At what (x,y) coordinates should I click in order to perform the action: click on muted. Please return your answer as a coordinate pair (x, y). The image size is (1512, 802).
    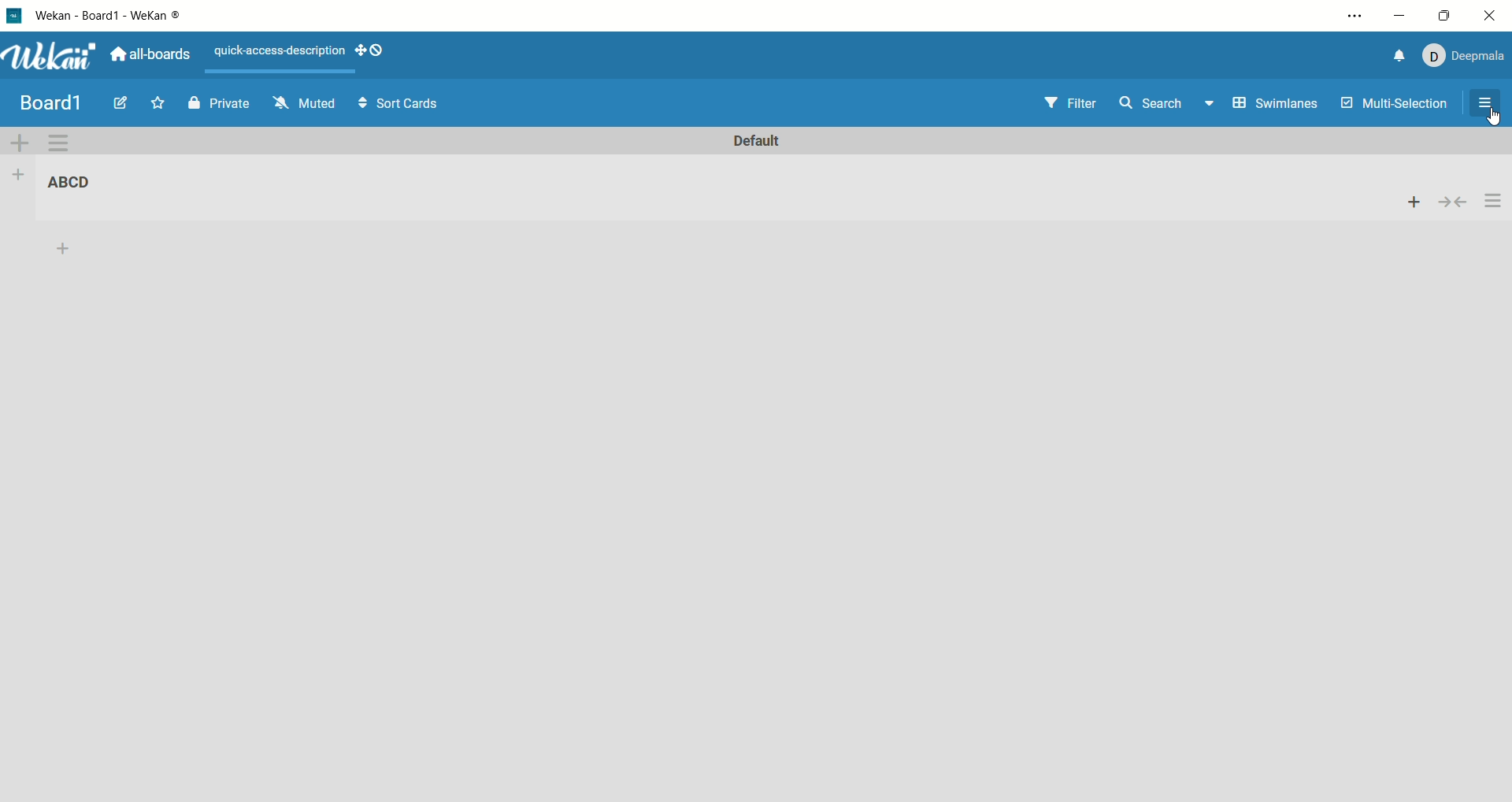
    Looking at the image, I should click on (305, 103).